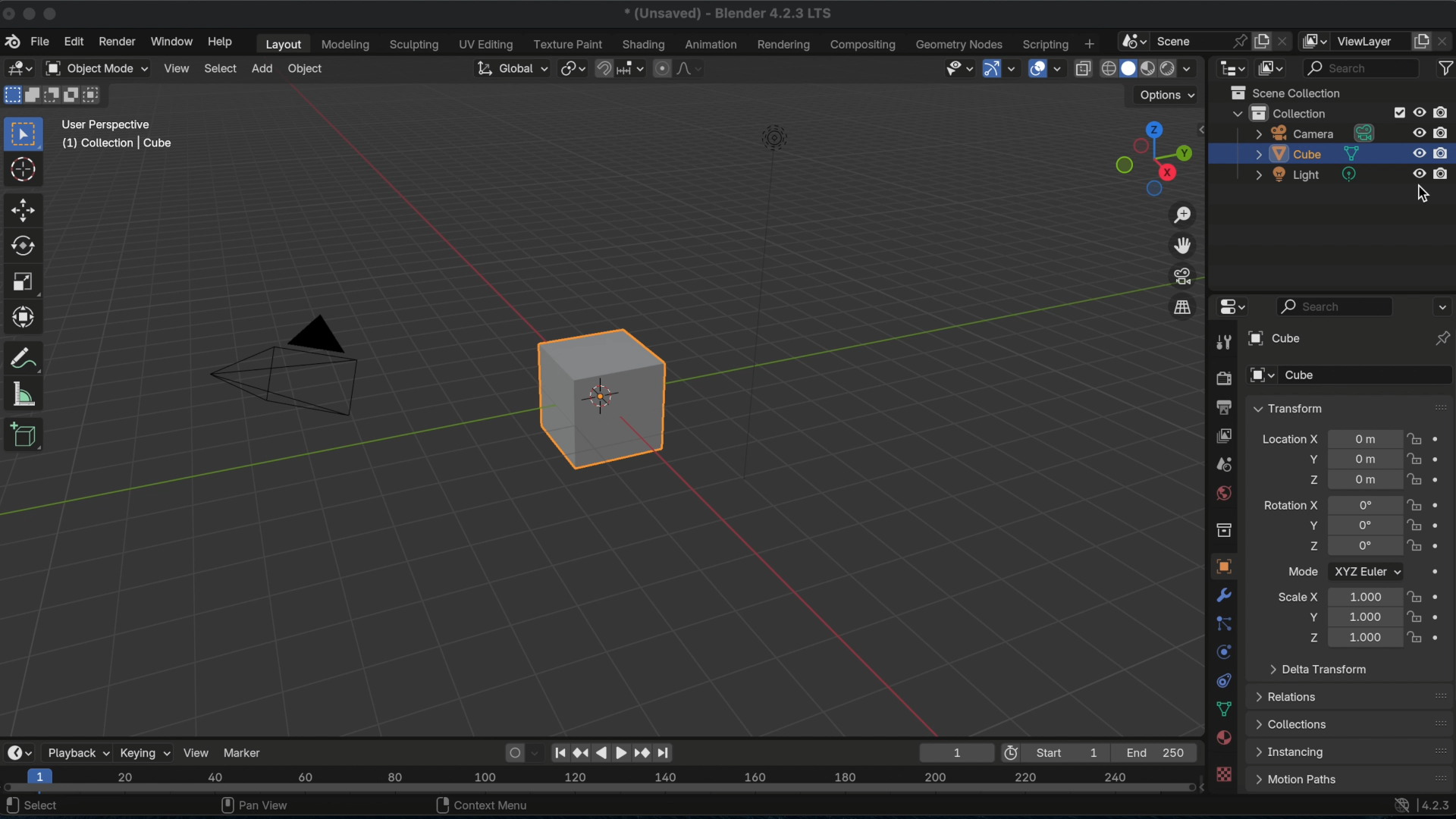 This screenshot has width=1456, height=819. I want to click on blender logo, so click(14, 41).